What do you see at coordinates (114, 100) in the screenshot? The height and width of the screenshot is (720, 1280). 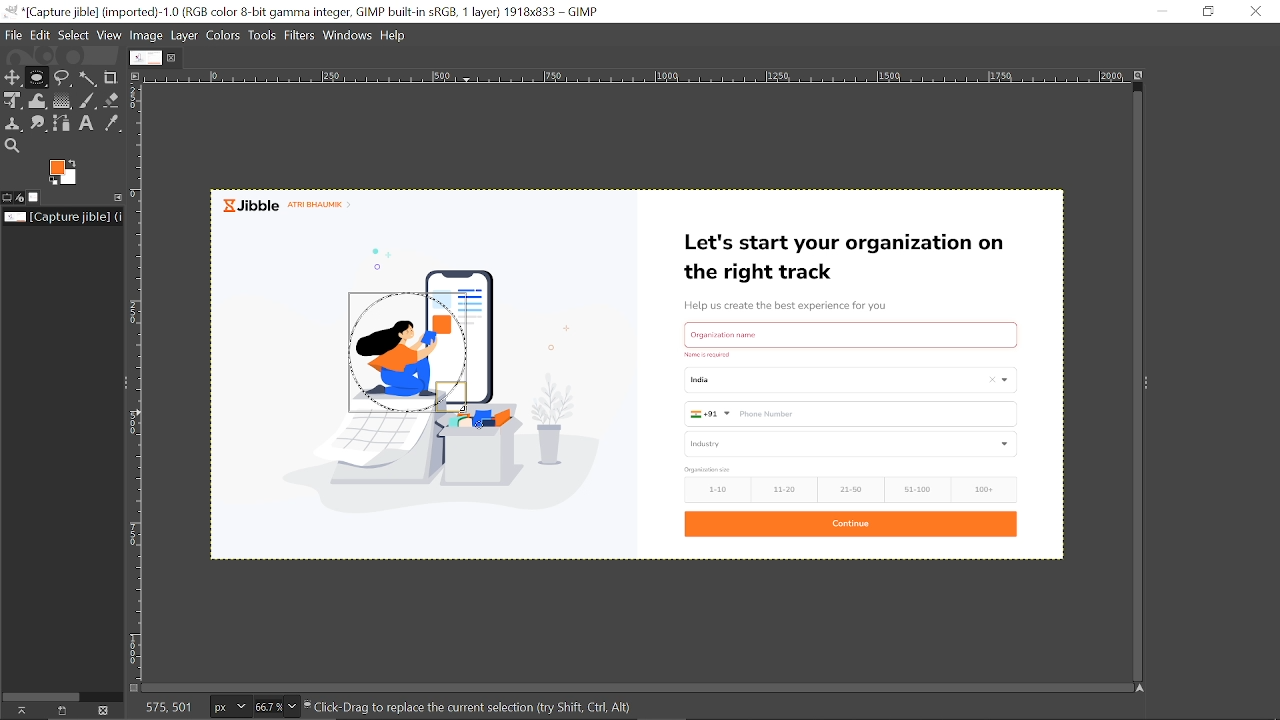 I see `Eraser tool` at bounding box center [114, 100].